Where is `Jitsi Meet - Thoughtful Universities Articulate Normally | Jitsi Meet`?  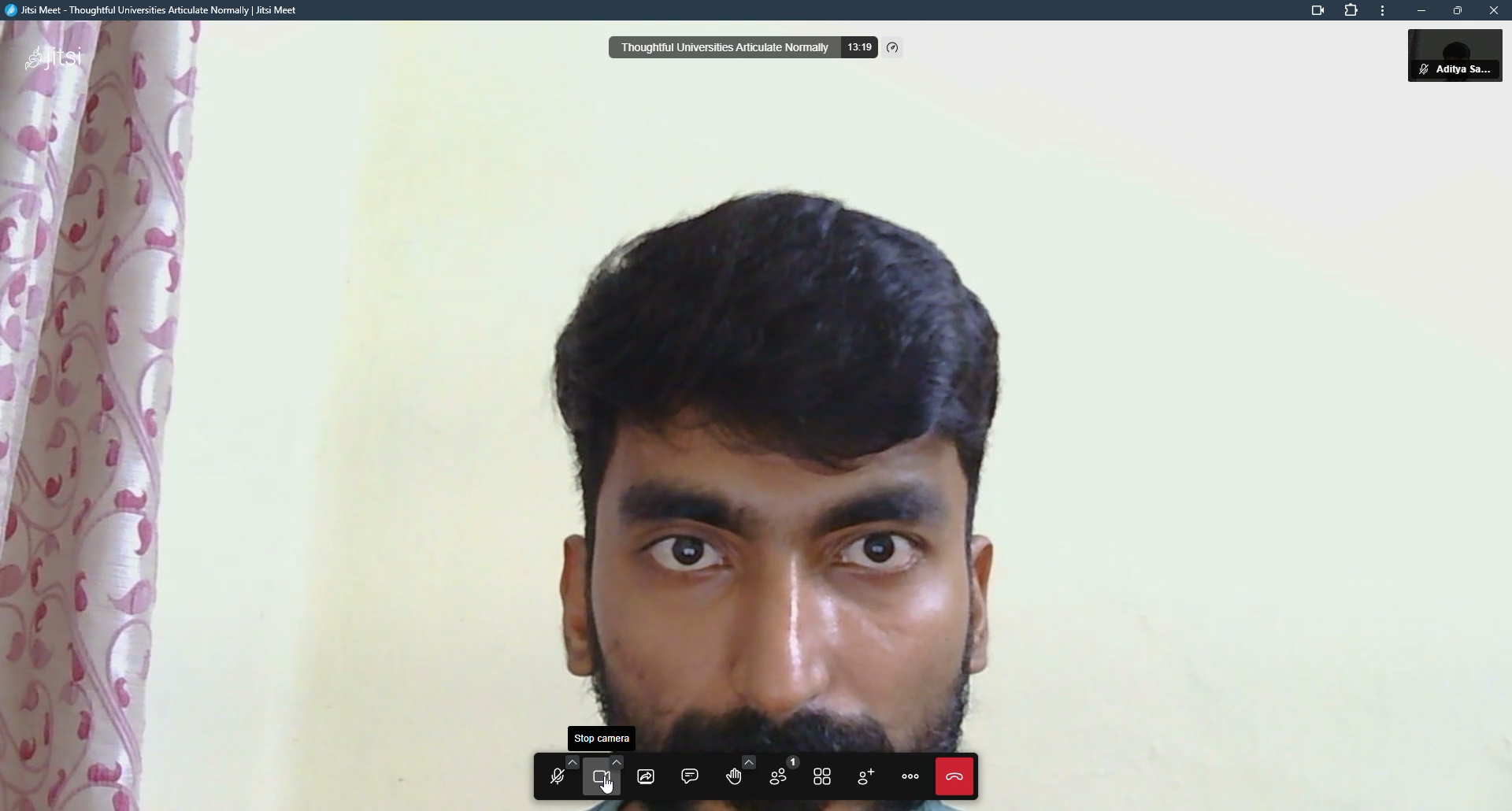
Jitsi Meet - Thoughtful Universities Articulate Normally | Jitsi Meet is located at coordinates (165, 10).